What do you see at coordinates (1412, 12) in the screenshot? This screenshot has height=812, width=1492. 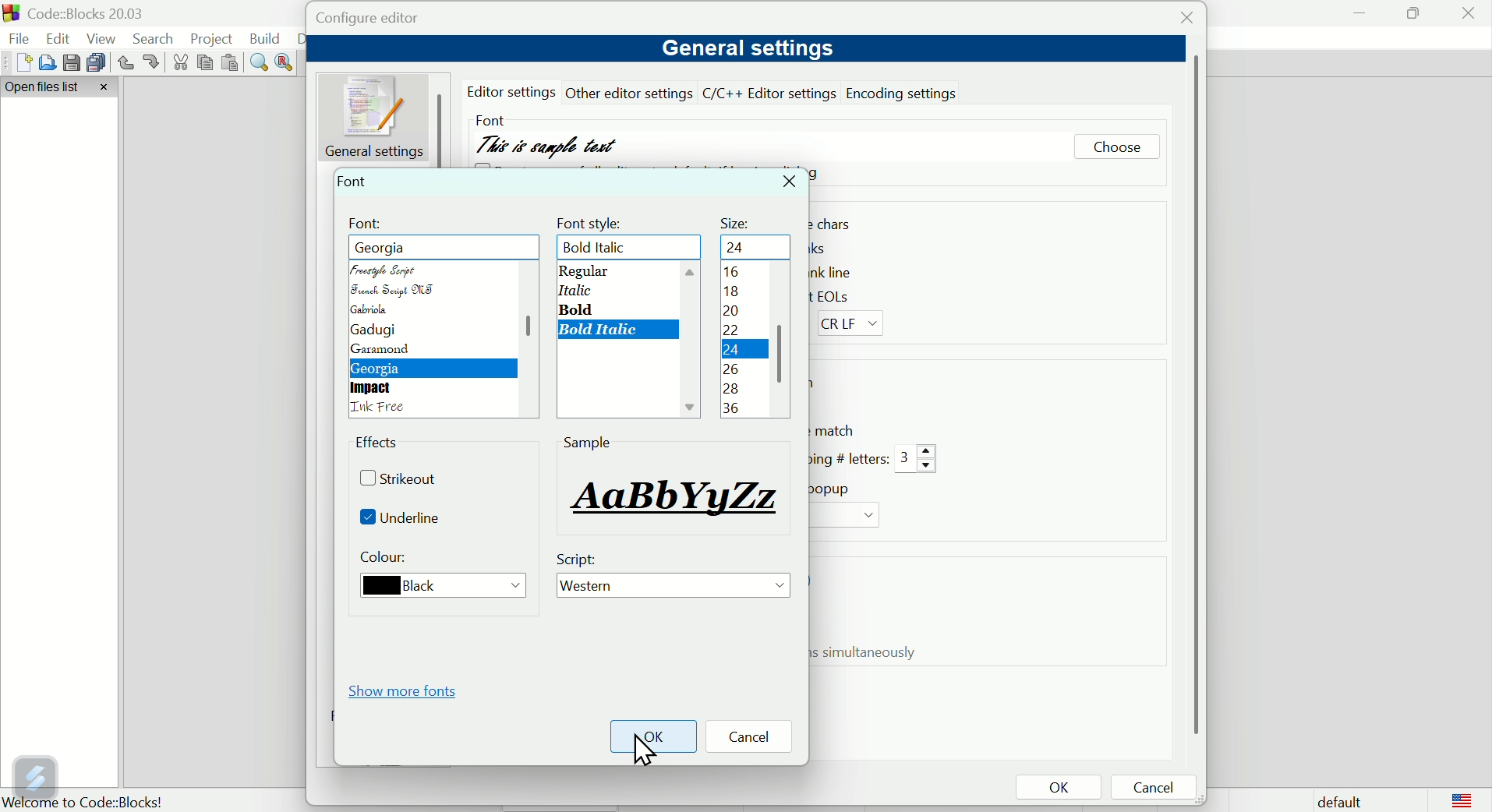 I see `maximise` at bounding box center [1412, 12].